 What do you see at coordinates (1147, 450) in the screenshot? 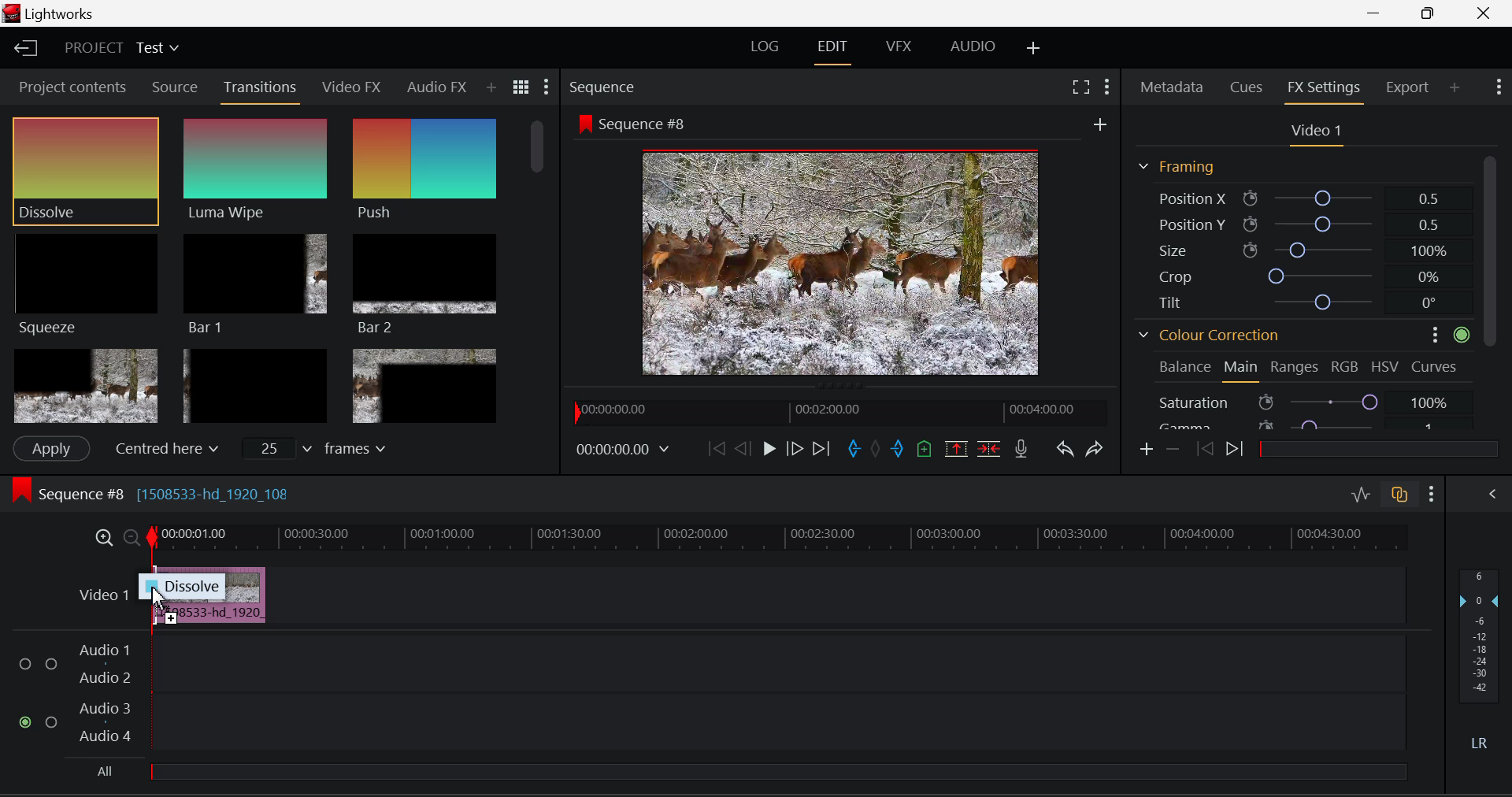
I see `Add keyframe` at bounding box center [1147, 450].